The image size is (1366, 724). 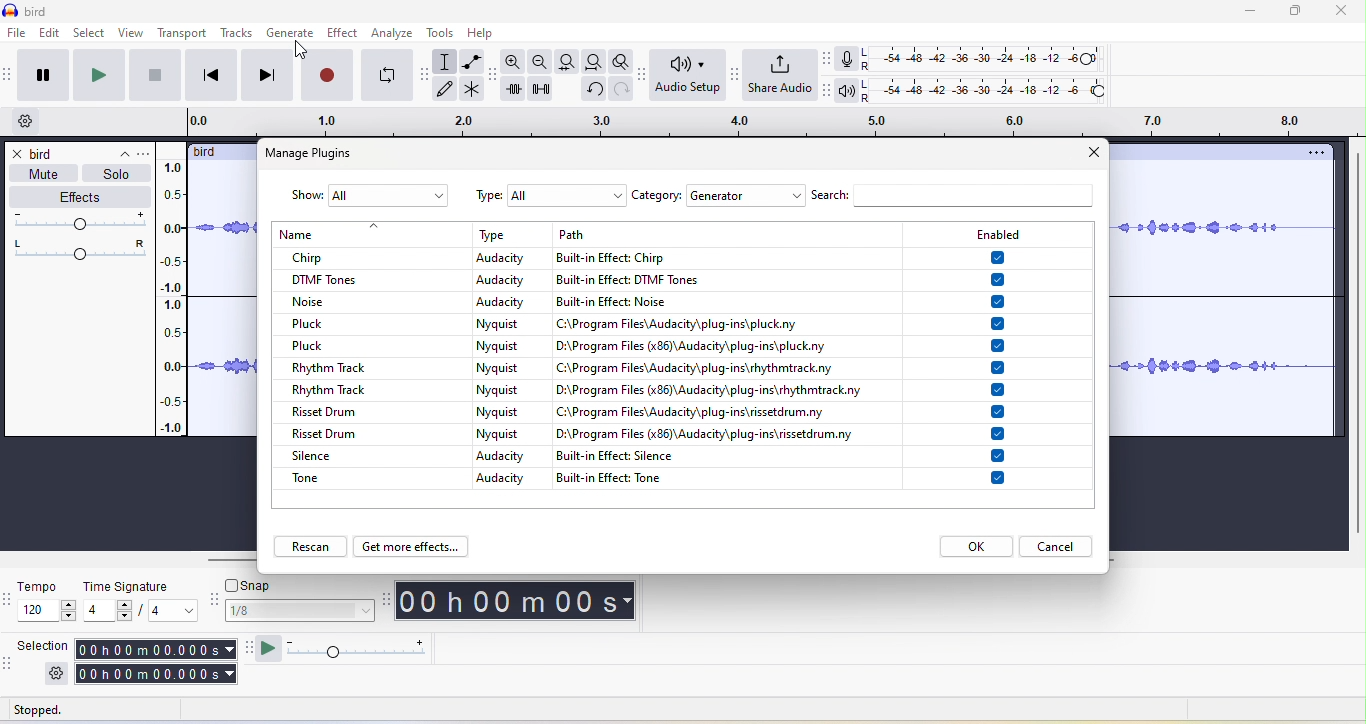 What do you see at coordinates (726, 368) in the screenshot?
I see `path` at bounding box center [726, 368].